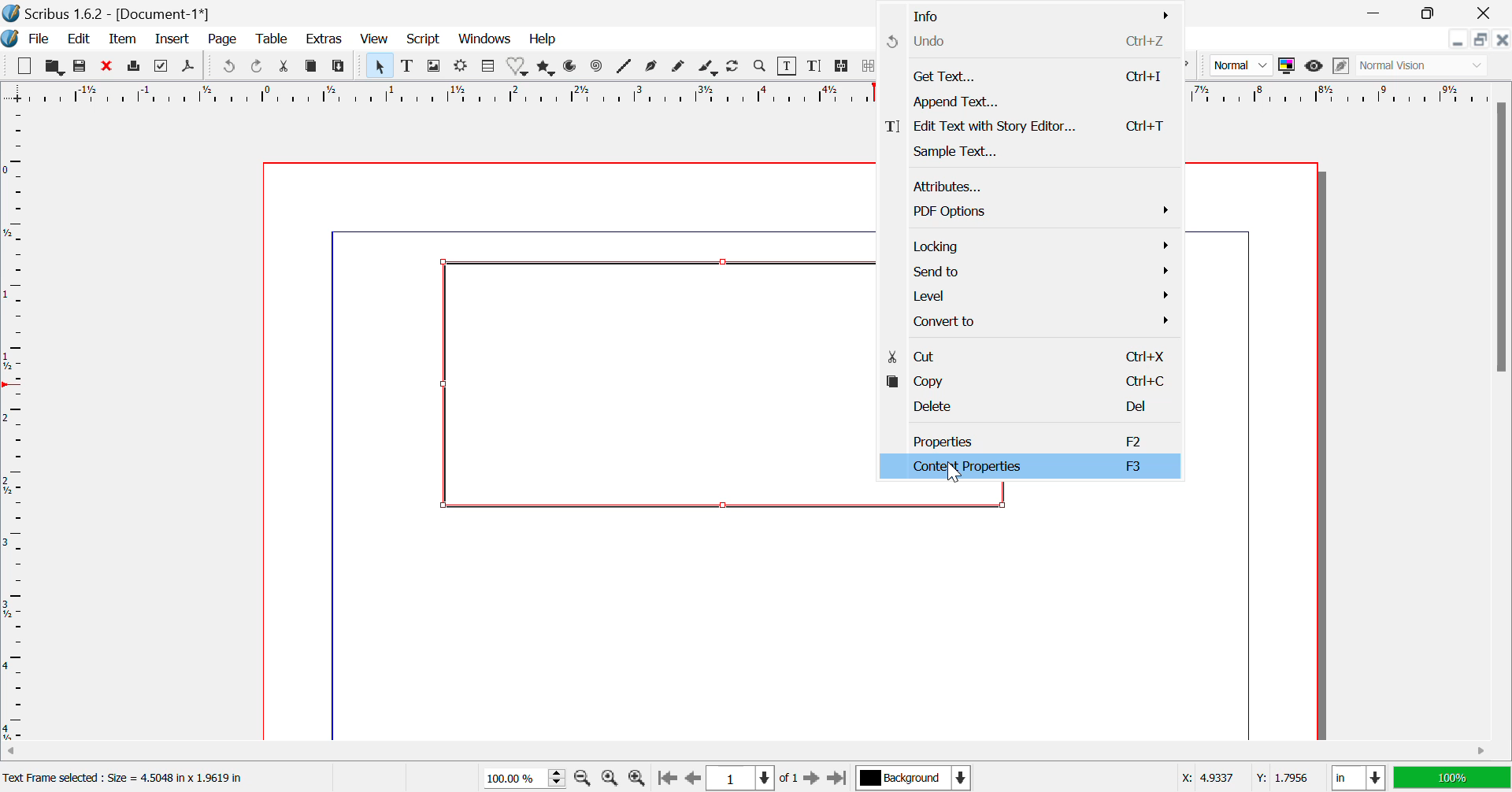 This screenshot has width=1512, height=792. What do you see at coordinates (422, 40) in the screenshot?
I see `Script` at bounding box center [422, 40].